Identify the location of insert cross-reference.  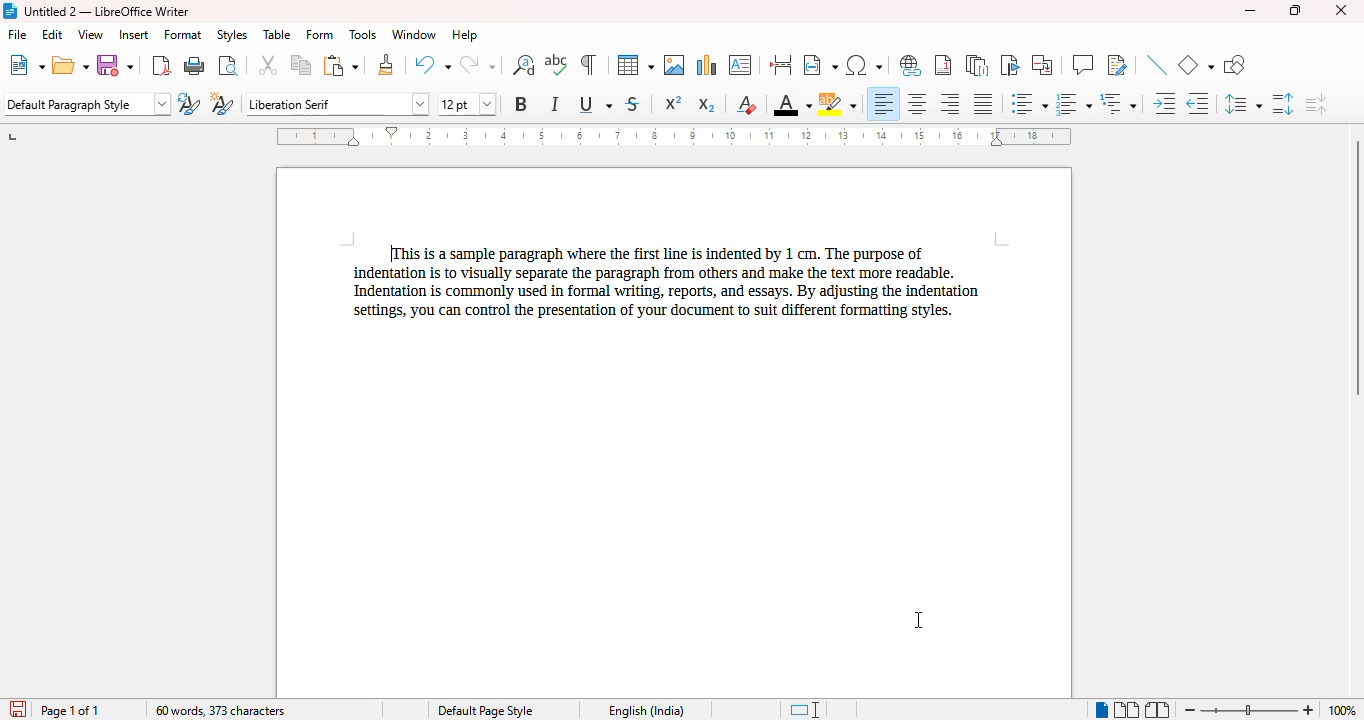
(1042, 65).